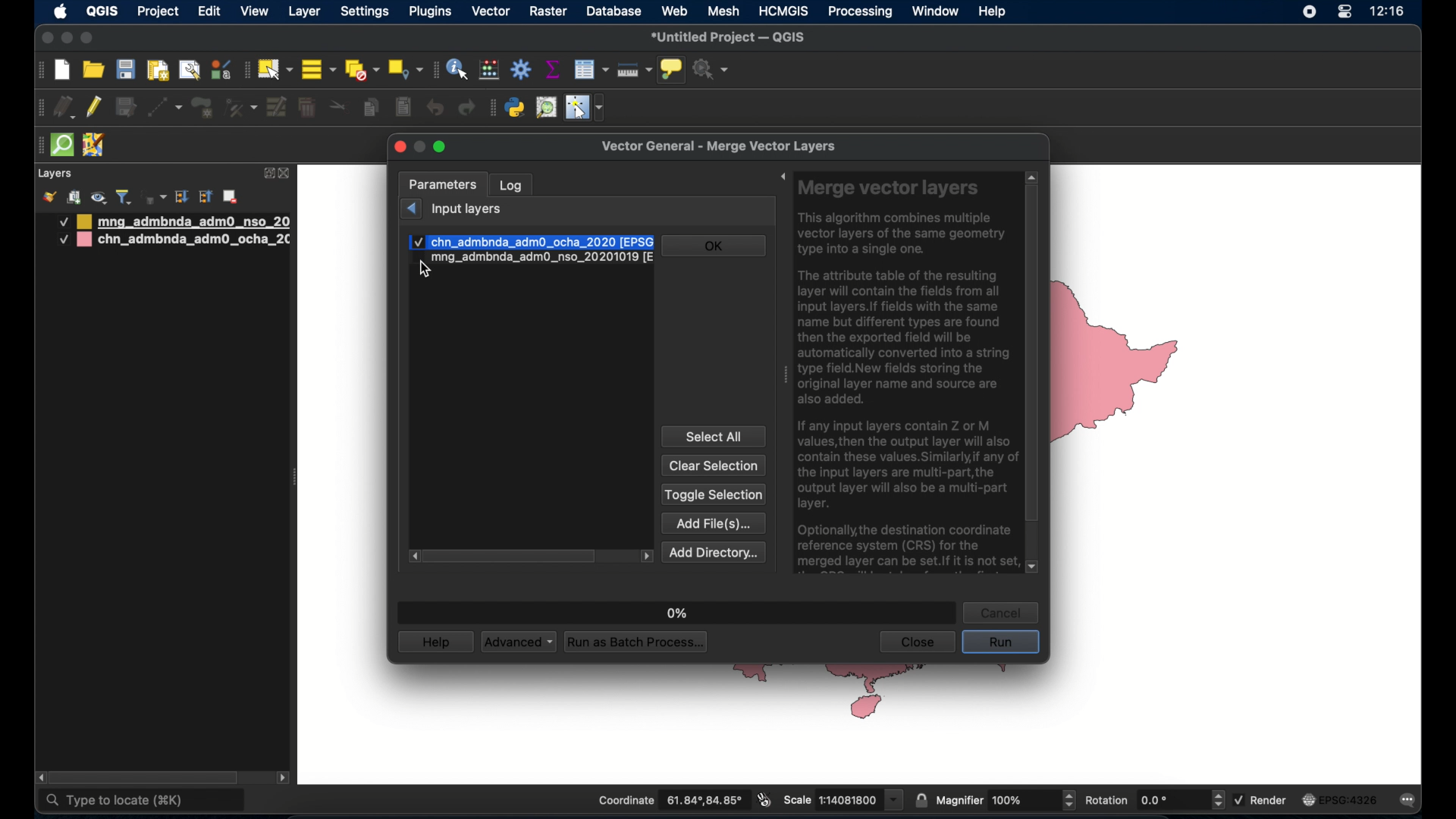  Describe the element at coordinates (591, 69) in the screenshot. I see `attributes table` at that location.